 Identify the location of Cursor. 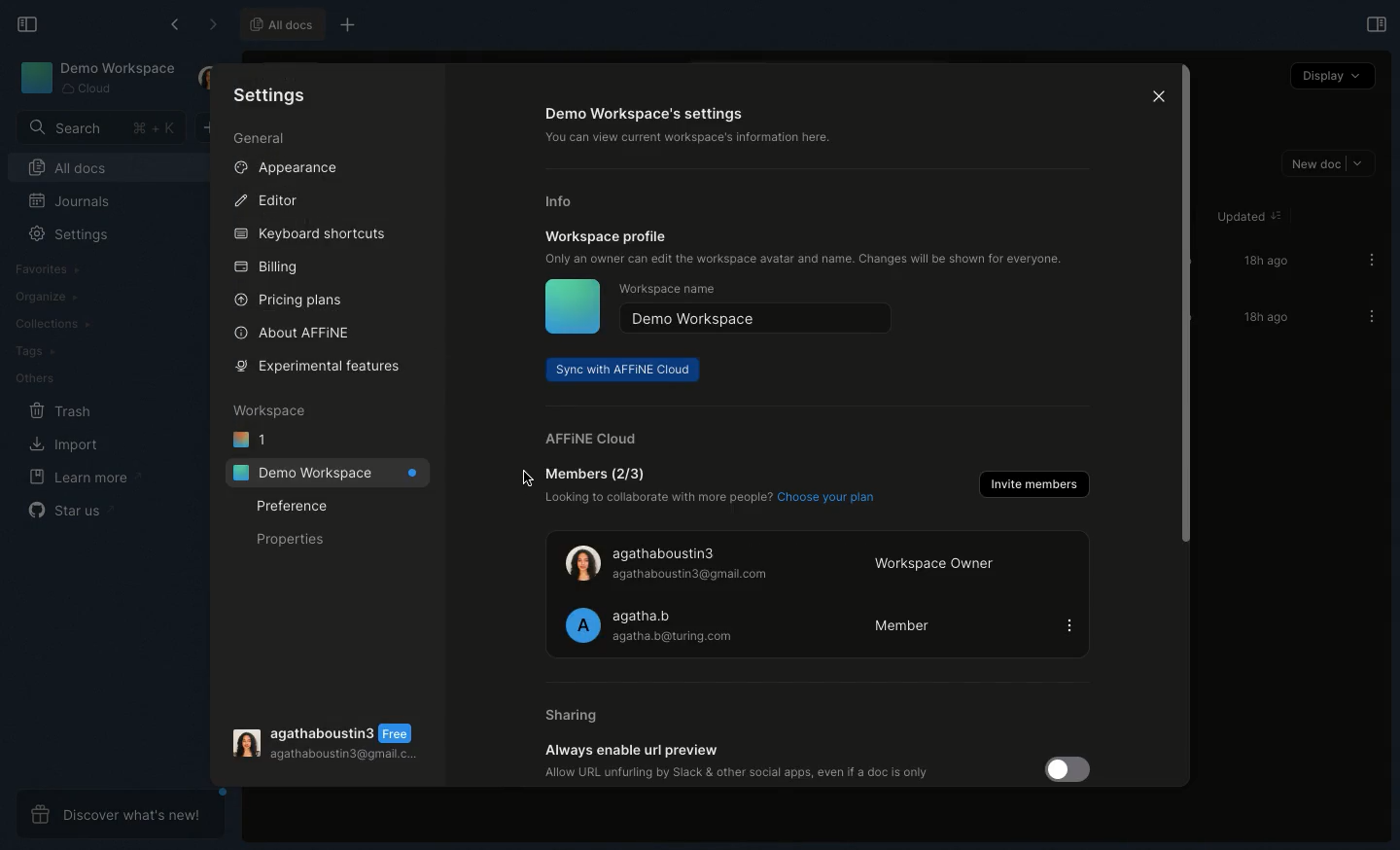
(527, 479).